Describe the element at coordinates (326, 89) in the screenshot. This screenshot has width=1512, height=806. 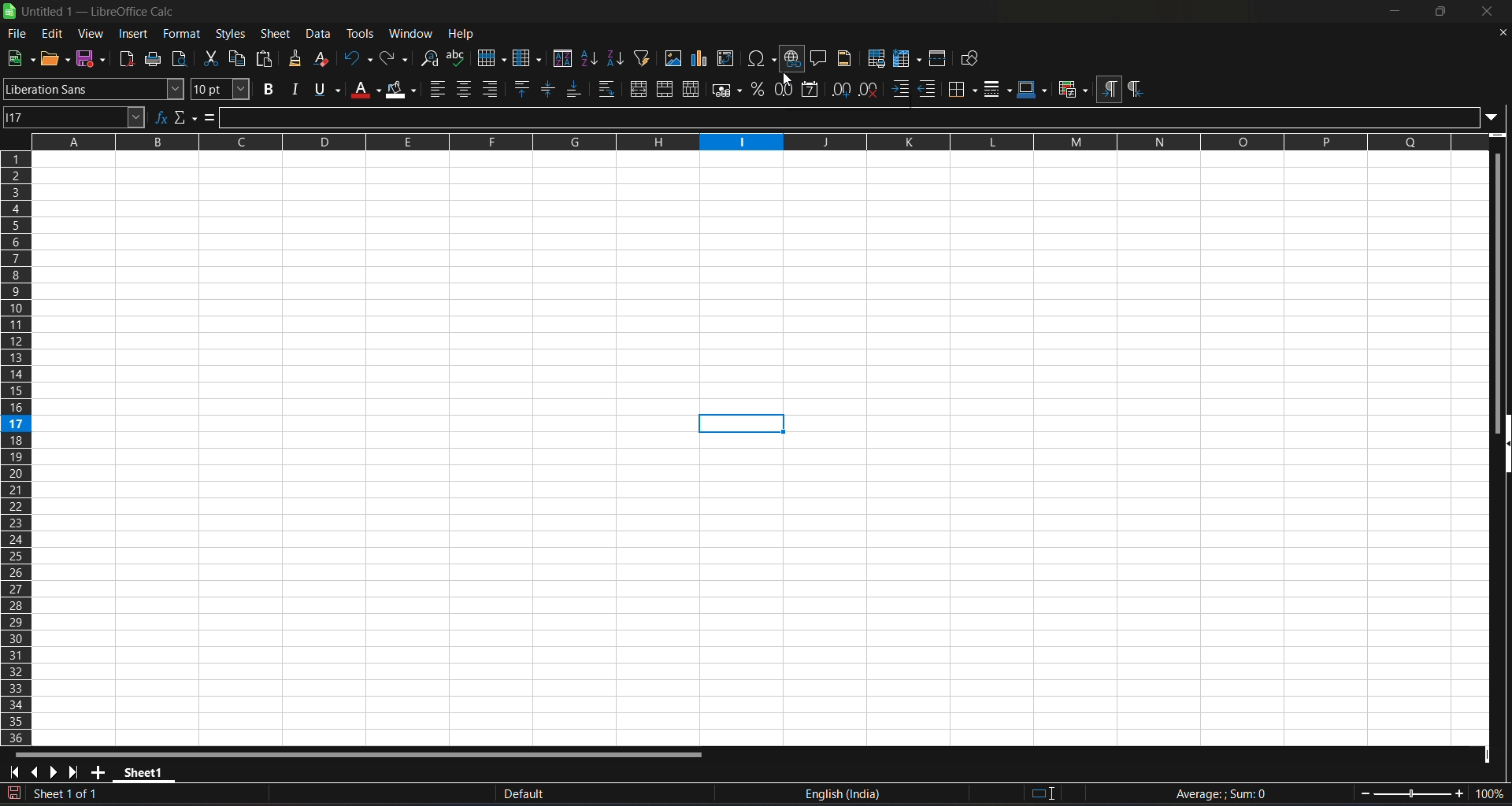
I see `underline` at that location.